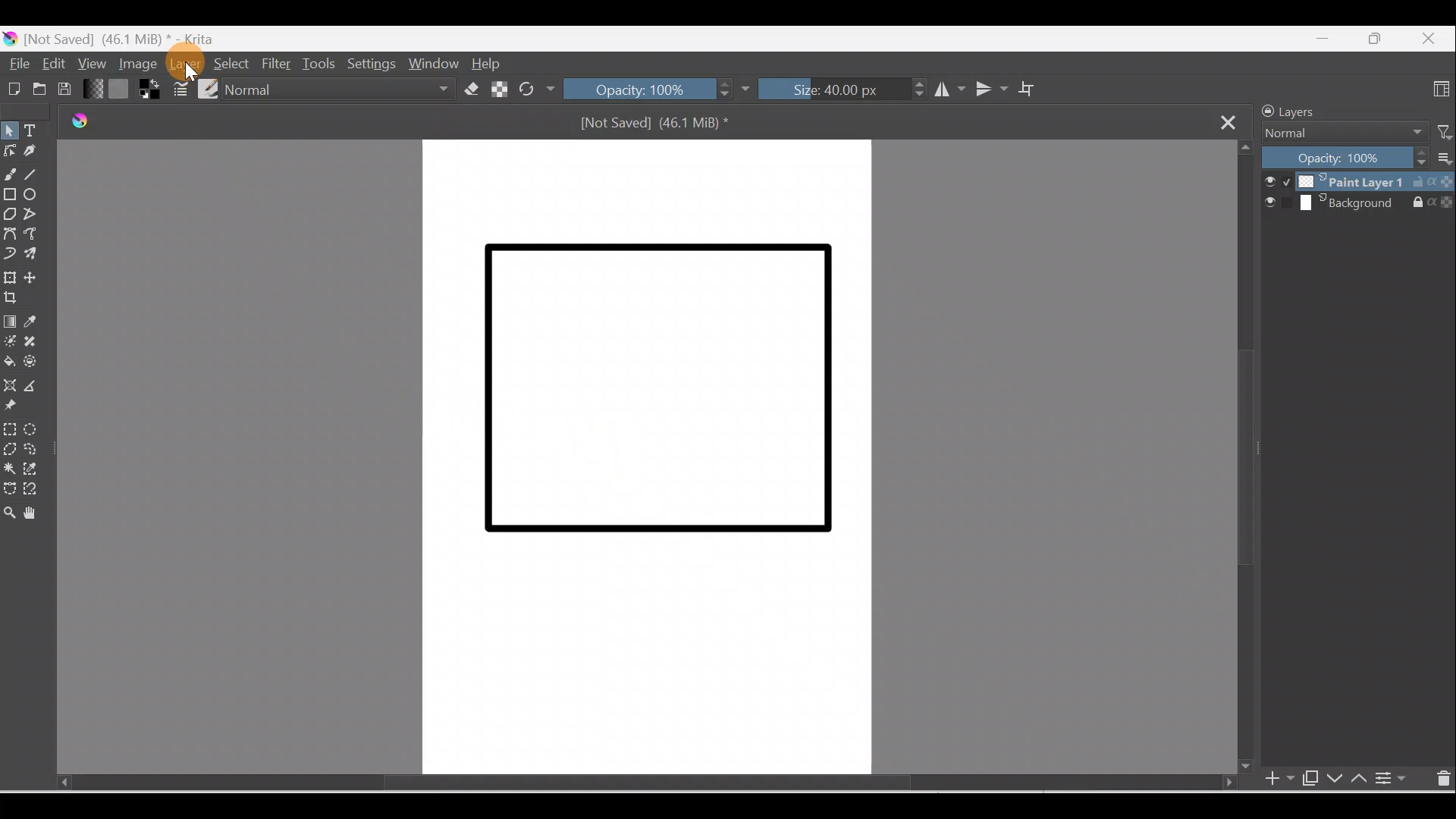 The image size is (1456, 819). What do you see at coordinates (33, 153) in the screenshot?
I see `Calligraphy` at bounding box center [33, 153].